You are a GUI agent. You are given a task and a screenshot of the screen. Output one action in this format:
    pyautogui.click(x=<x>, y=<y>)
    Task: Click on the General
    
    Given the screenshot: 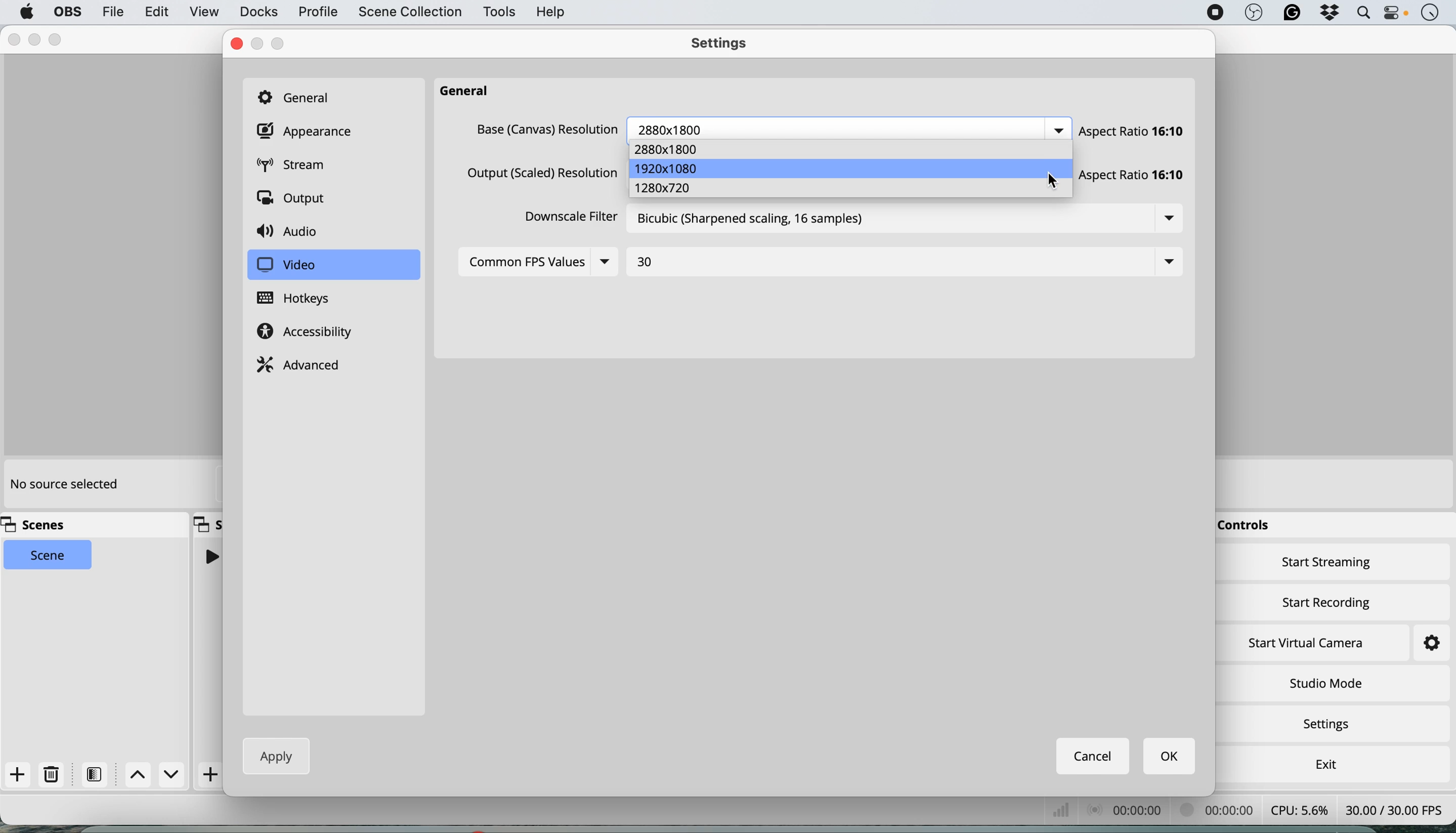 What is the action you would take?
    pyautogui.click(x=301, y=99)
    